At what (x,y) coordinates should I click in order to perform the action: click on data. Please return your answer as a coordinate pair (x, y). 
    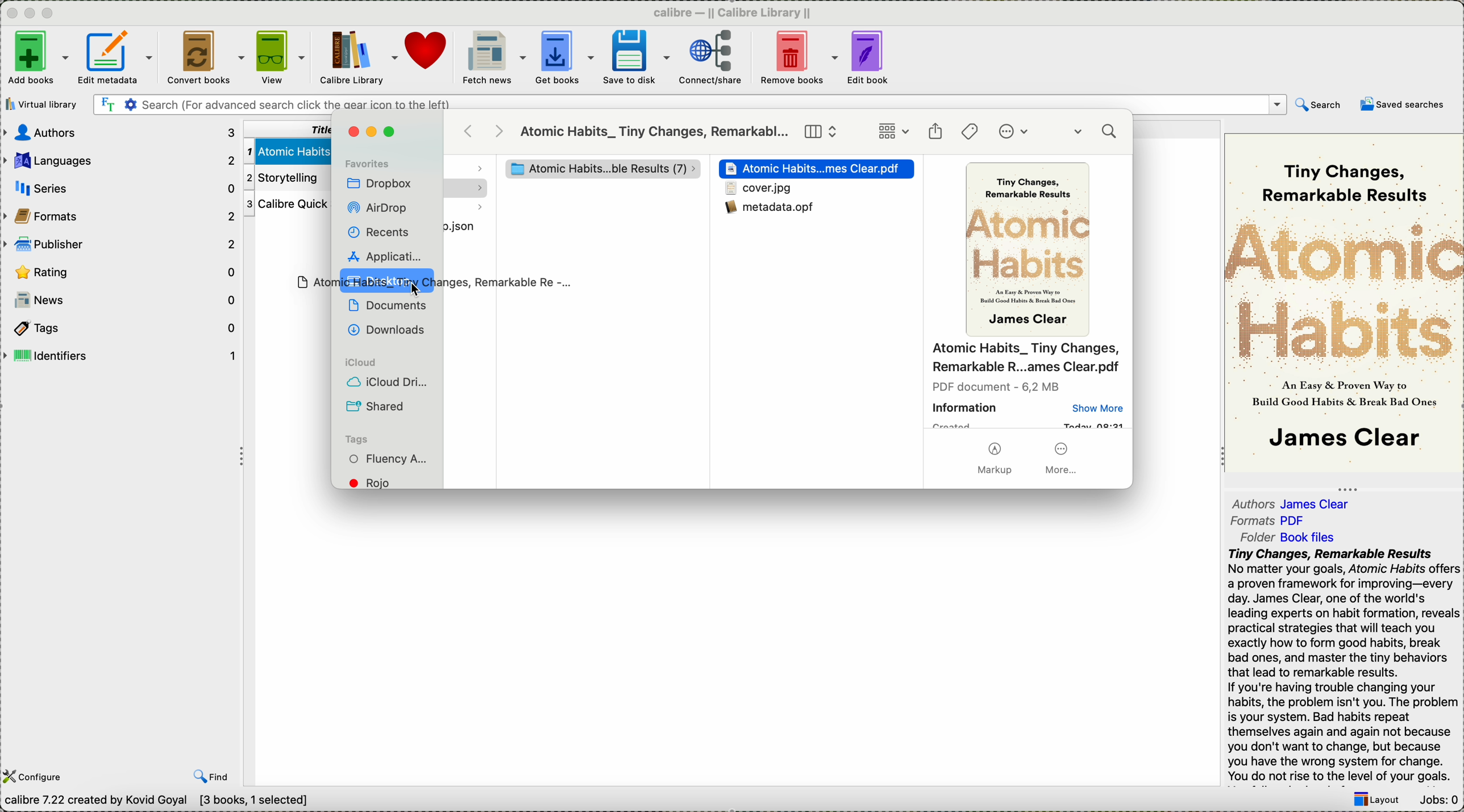
    Looking at the image, I should click on (162, 802).